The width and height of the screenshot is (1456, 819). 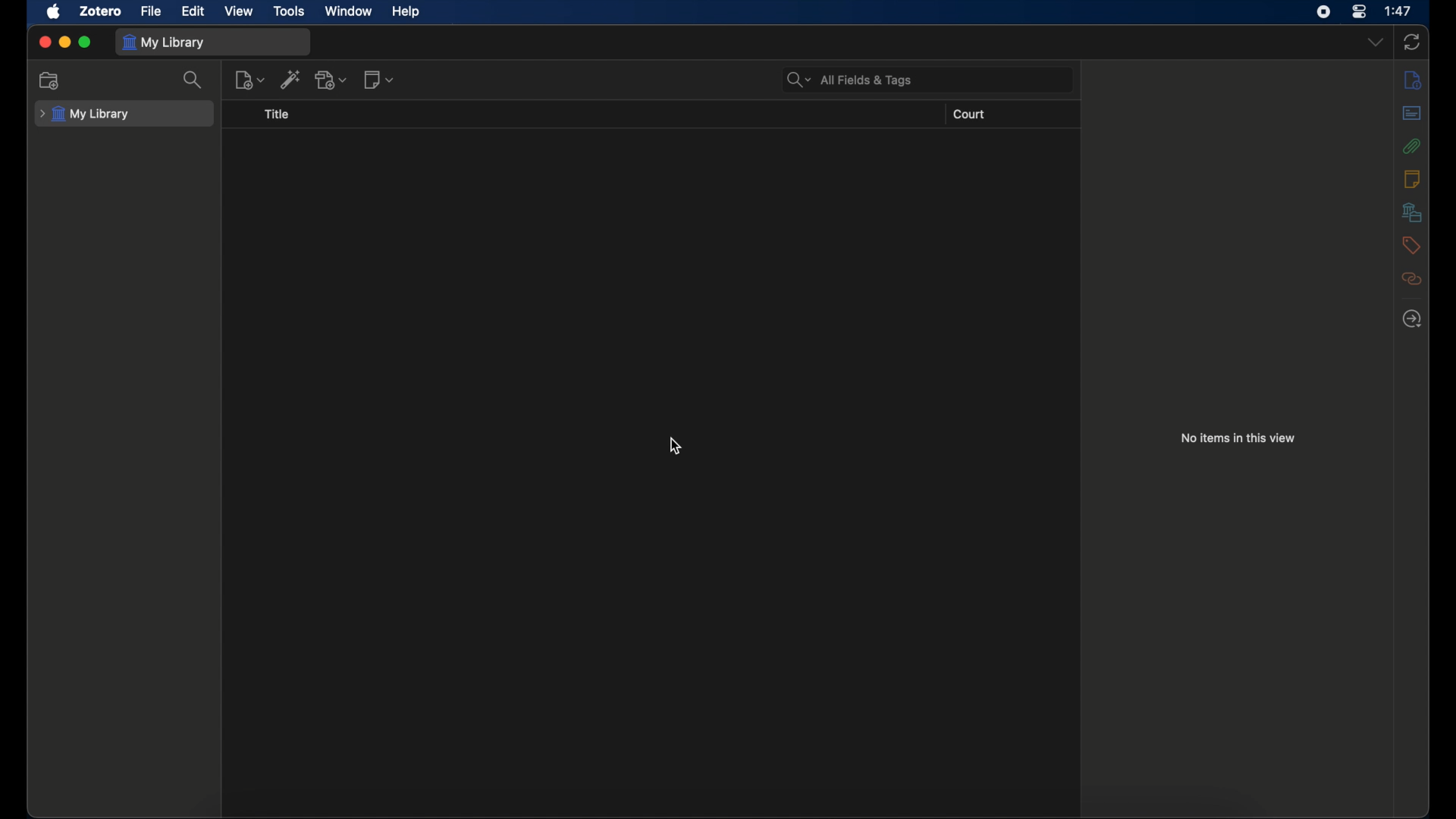 I want to click on sync, so click(x=1412, y=42).